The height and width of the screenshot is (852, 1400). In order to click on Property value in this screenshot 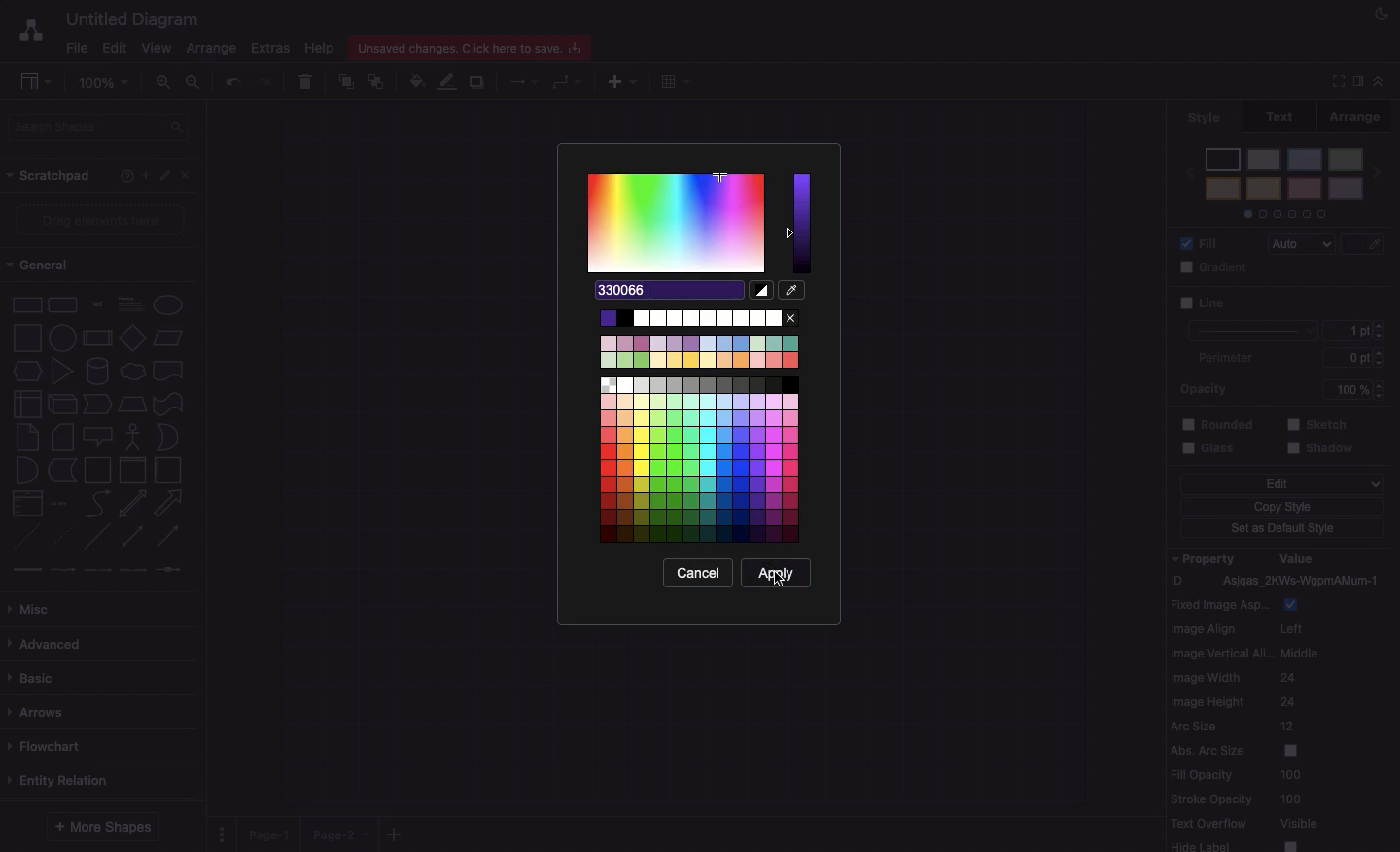, I will do `click(1283, 700)`.